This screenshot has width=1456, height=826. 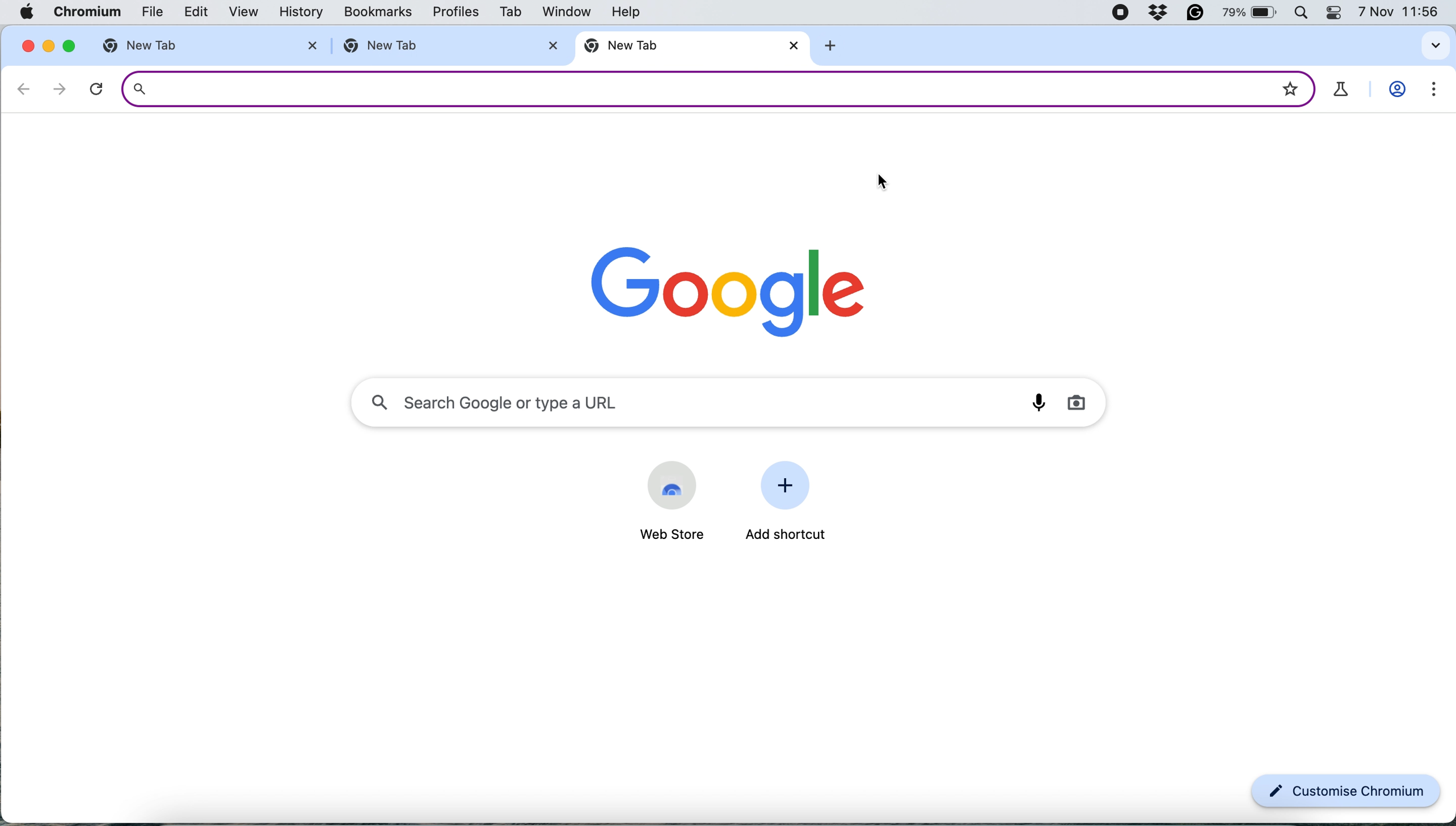 I want to click on close, so click(x=308, y=45).